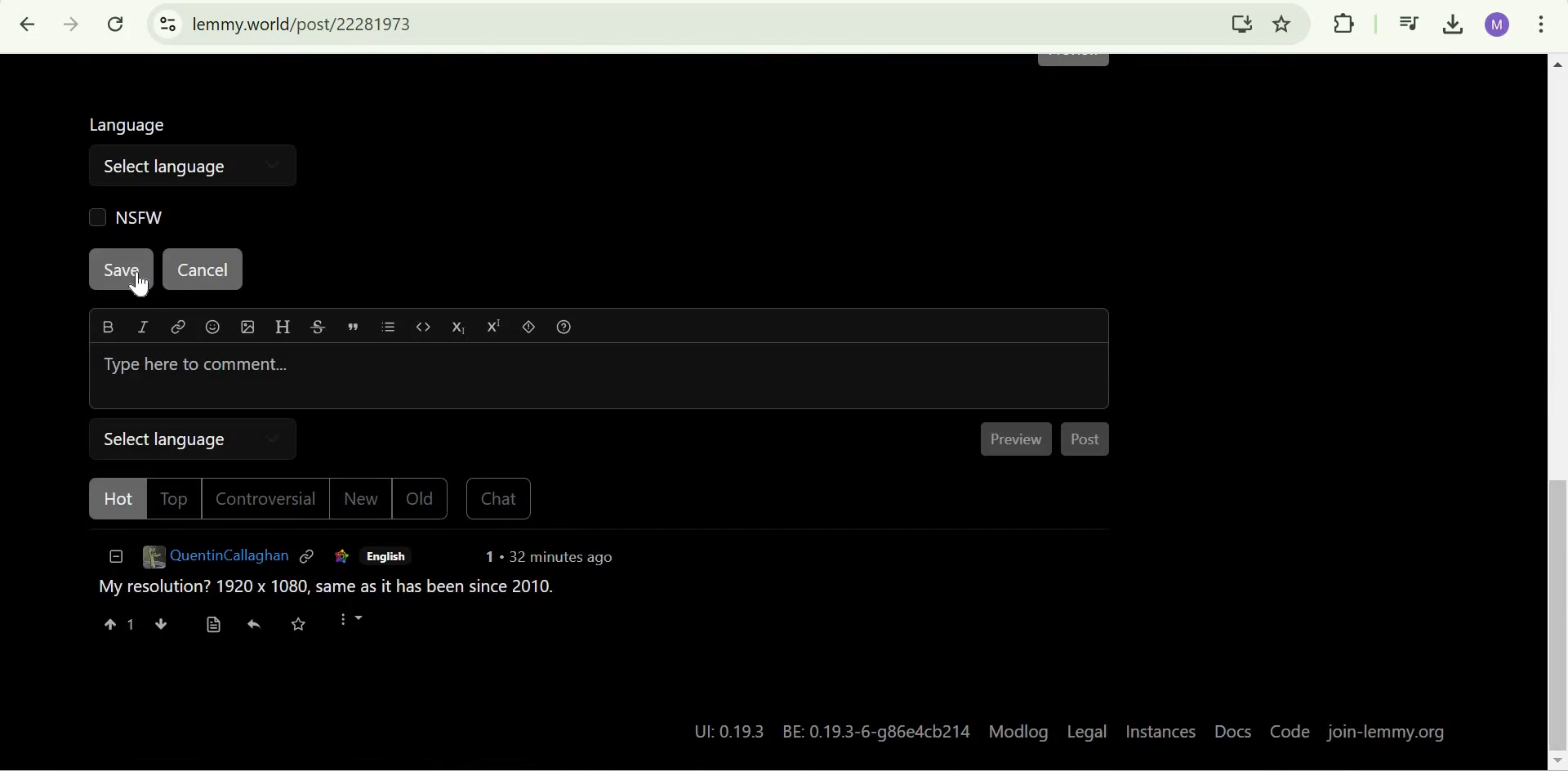  What do you see at coordinates (147, 286) in the screenshot?
I see `cursor` at bounding box center [147, 286].